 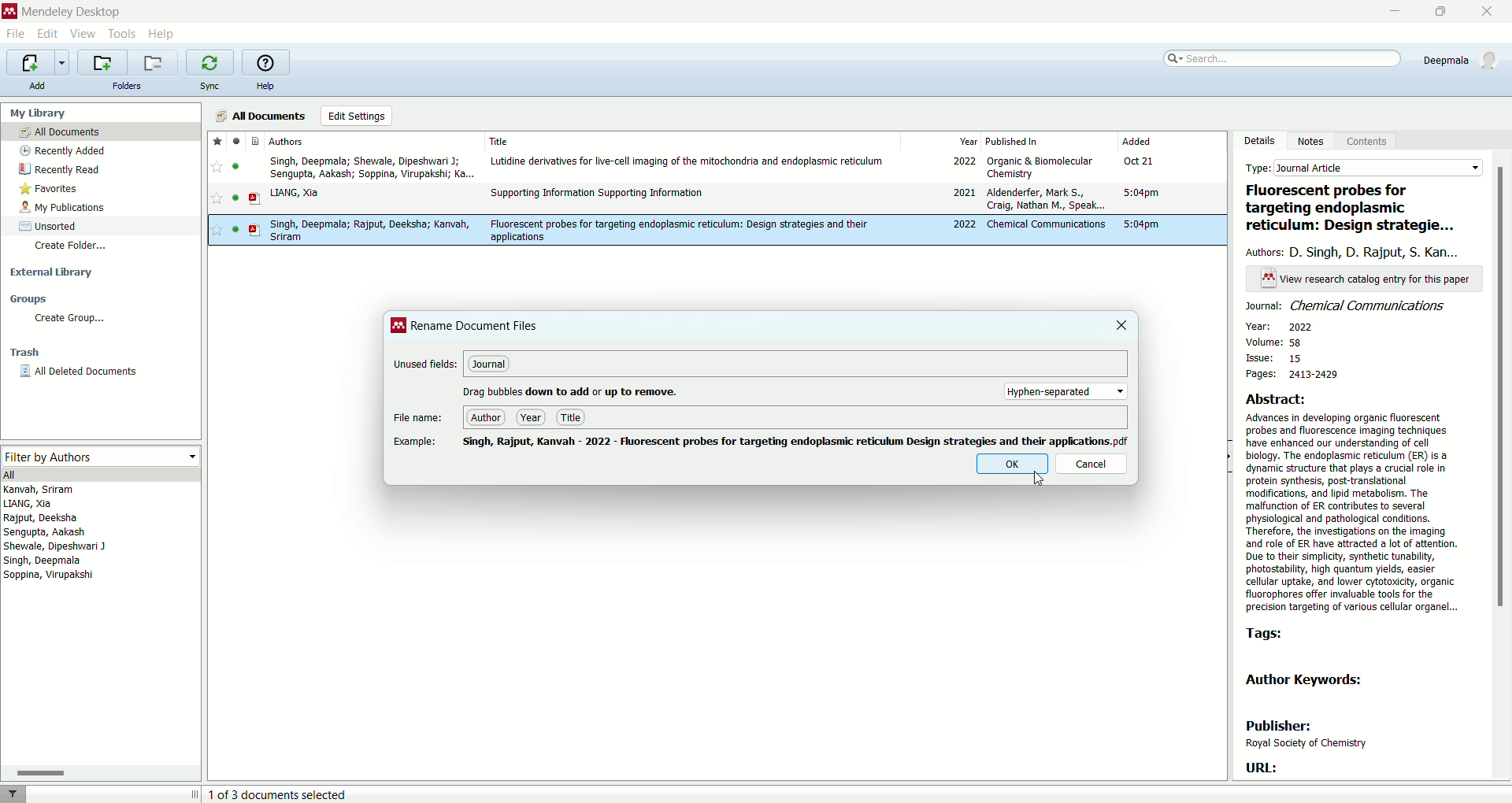 What do you see at coordinates (235, 140) in the screenshot?
I see `read/unread` at bounding box center [235, 140].